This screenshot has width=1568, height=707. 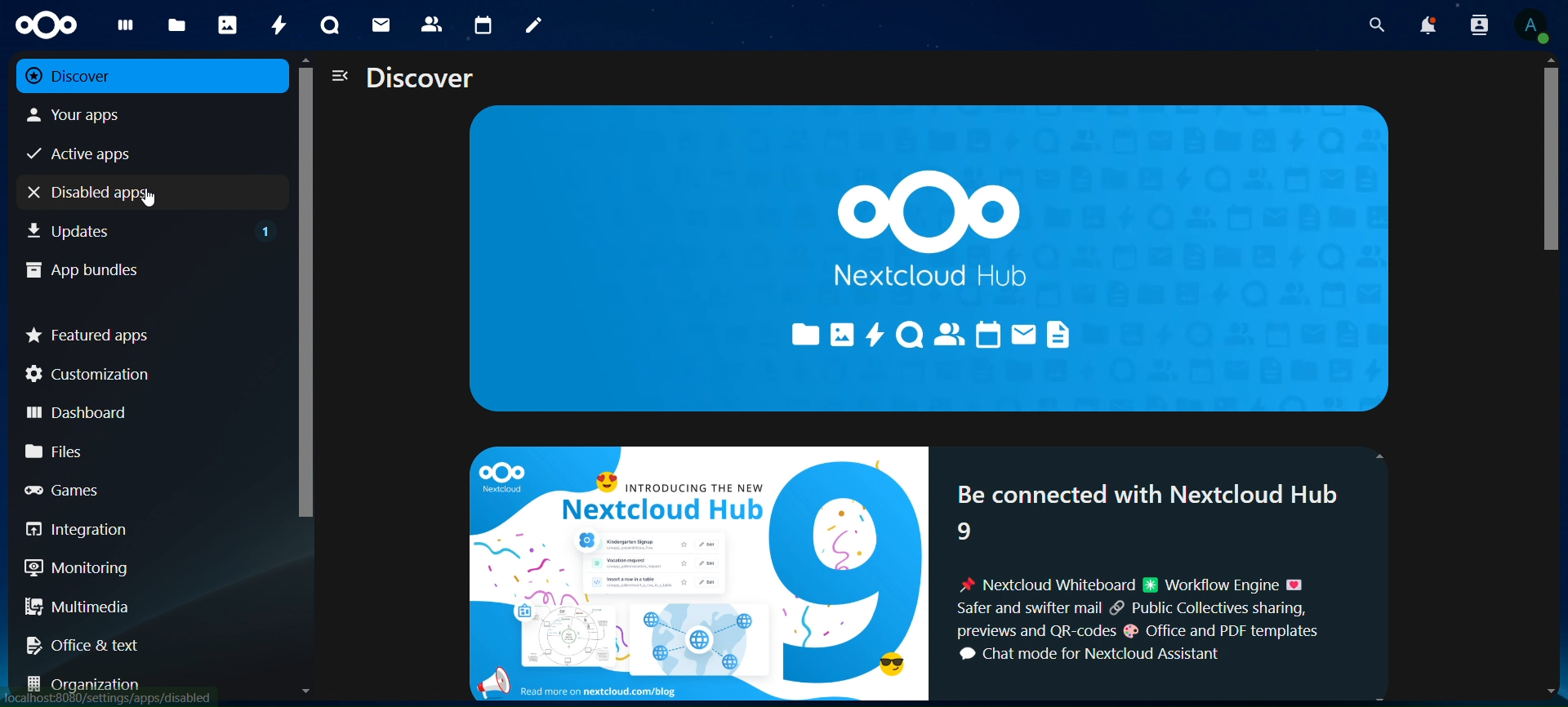 I want to click on app bundles, so click(x=136, y=268).